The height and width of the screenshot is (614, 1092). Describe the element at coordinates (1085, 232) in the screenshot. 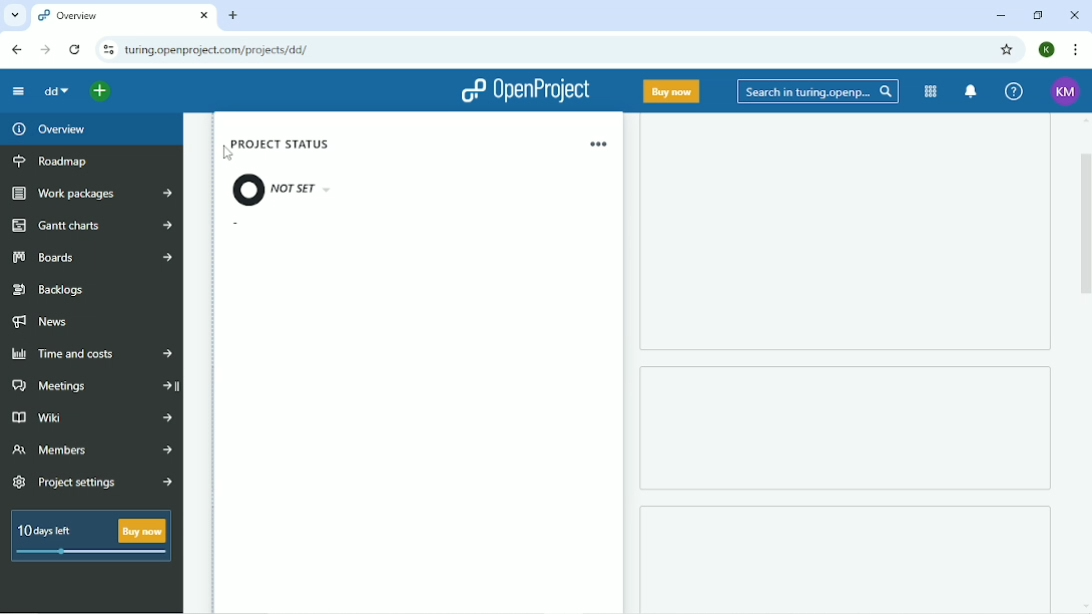

I see `Vertical scrollbar` at that location.